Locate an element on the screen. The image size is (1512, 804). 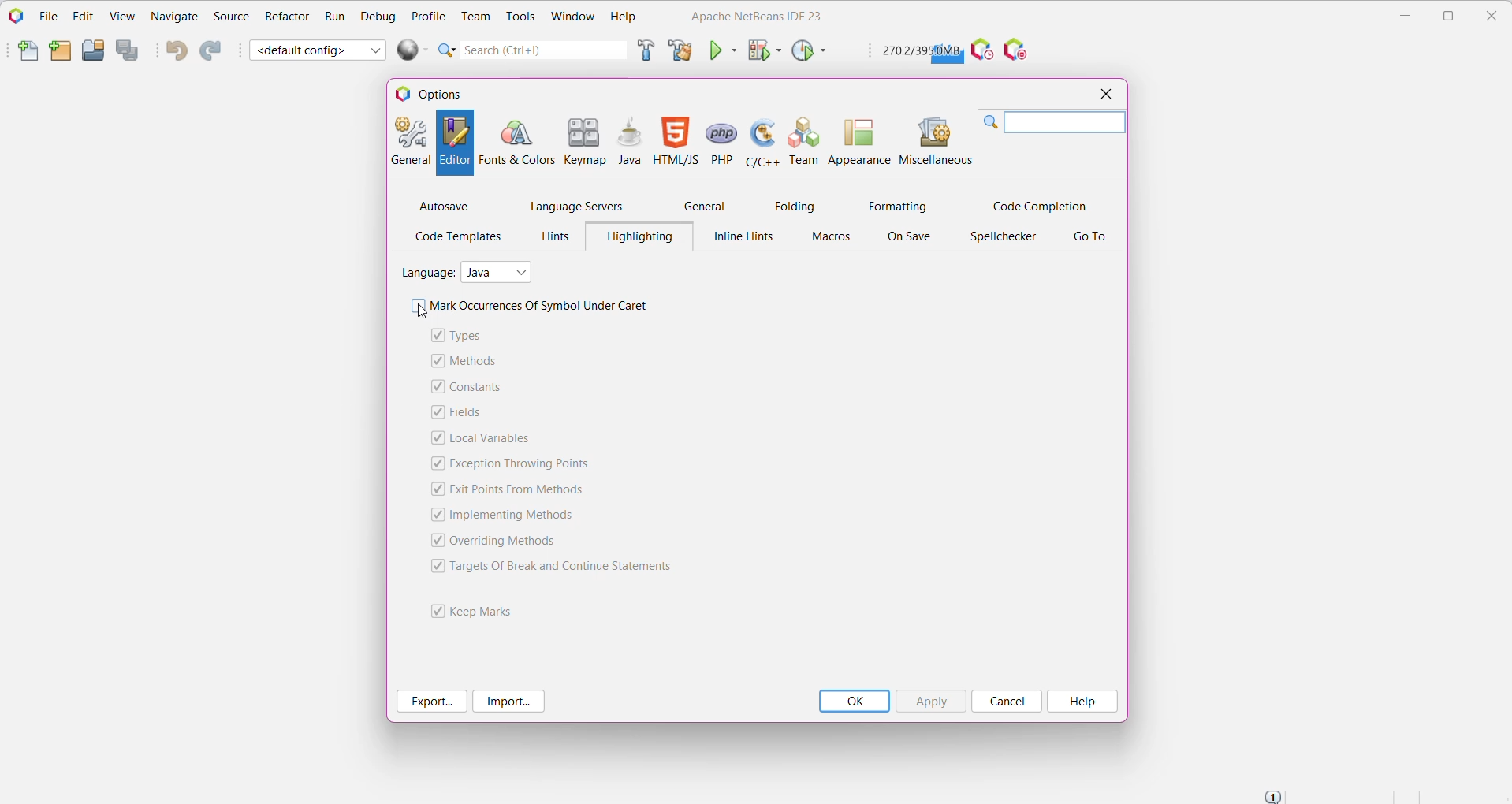
Import is located at coordinates (510, 701).